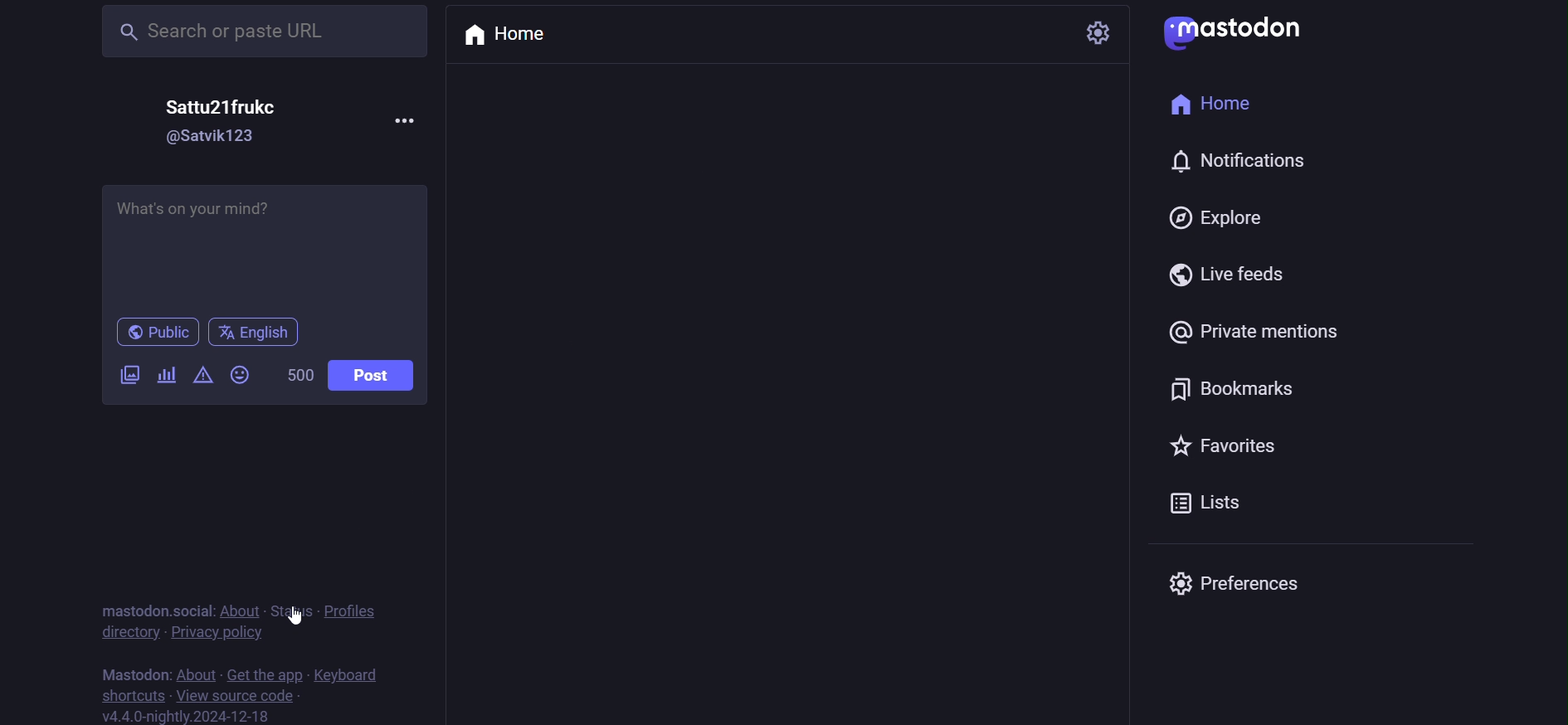 This screenshot has width=1568, height=725. Describe the element at coordinates (1255, 332) in the screenshot. I see `private mention` at that location.